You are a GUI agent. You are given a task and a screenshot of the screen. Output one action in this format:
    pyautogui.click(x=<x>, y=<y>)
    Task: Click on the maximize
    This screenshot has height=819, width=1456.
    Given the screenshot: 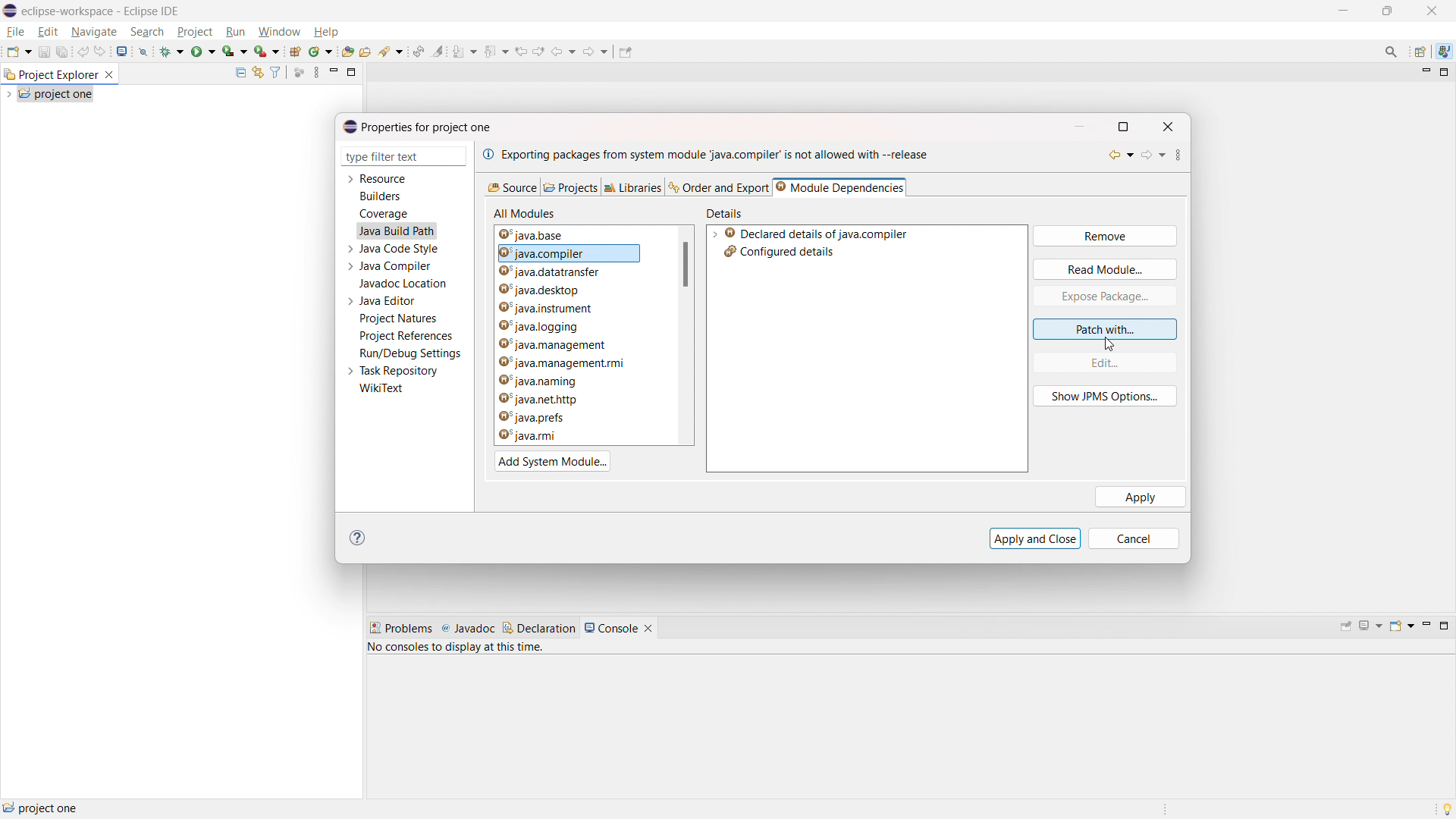 What is the action you would take?
    pyautogui.click(x=1444, y=626)
    